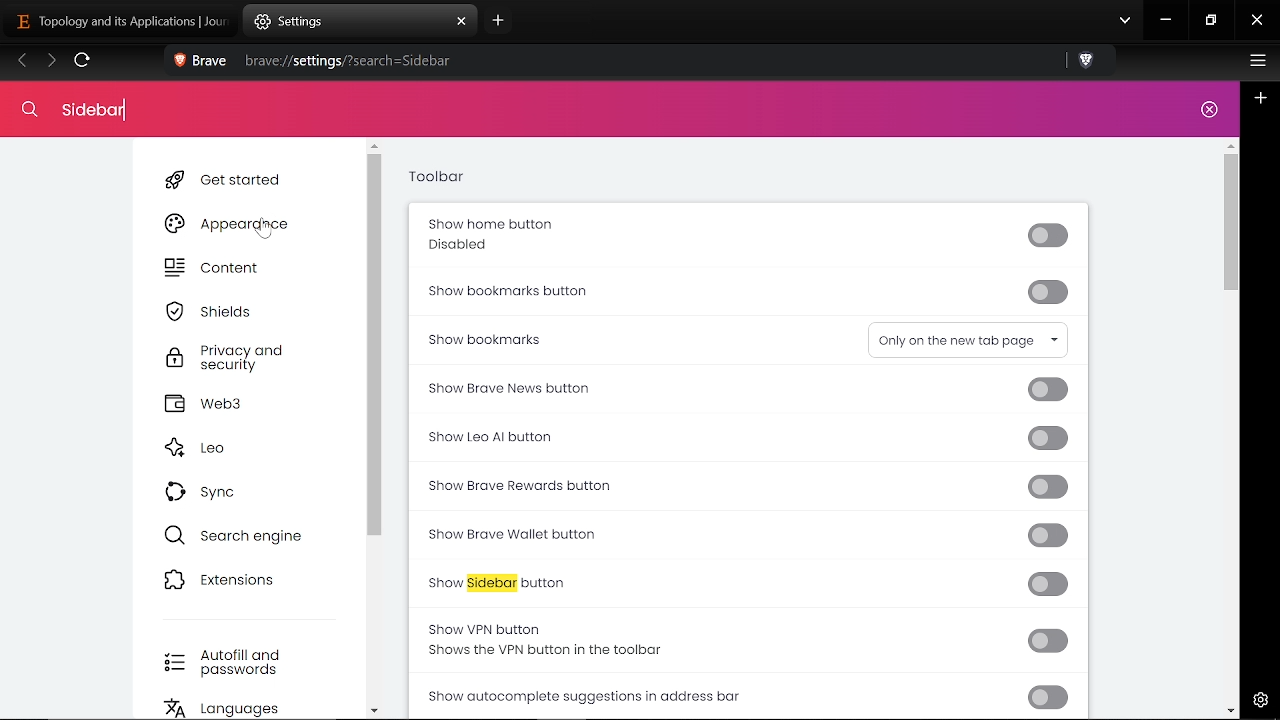 Image resolution: width=1280 pixels, height=720 pixels. Describe the element at coordinates (51, 62) in the screenshot. I see `Next page` at that location.